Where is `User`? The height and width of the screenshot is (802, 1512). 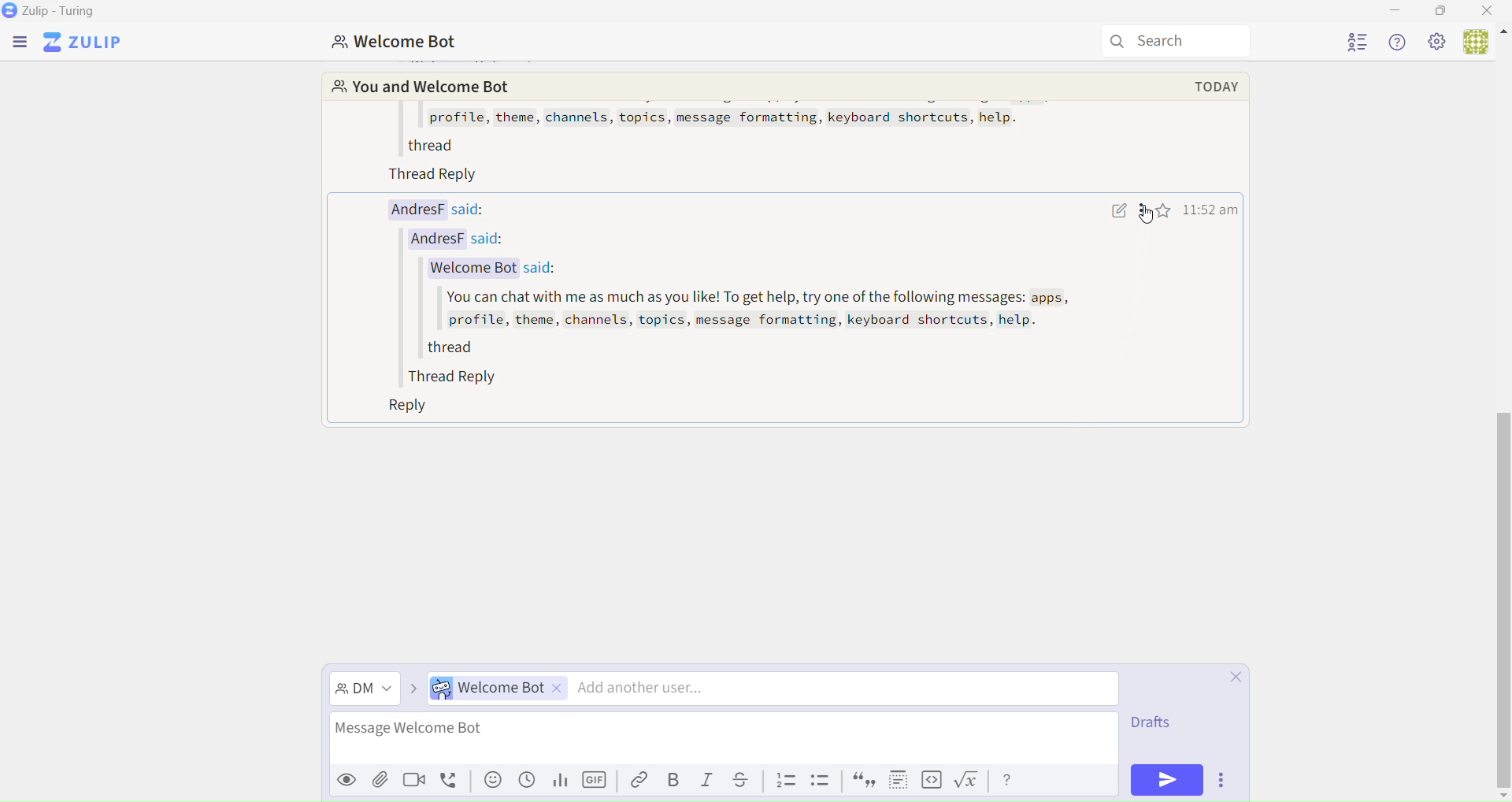
User is located at coordinates (1487, 42).